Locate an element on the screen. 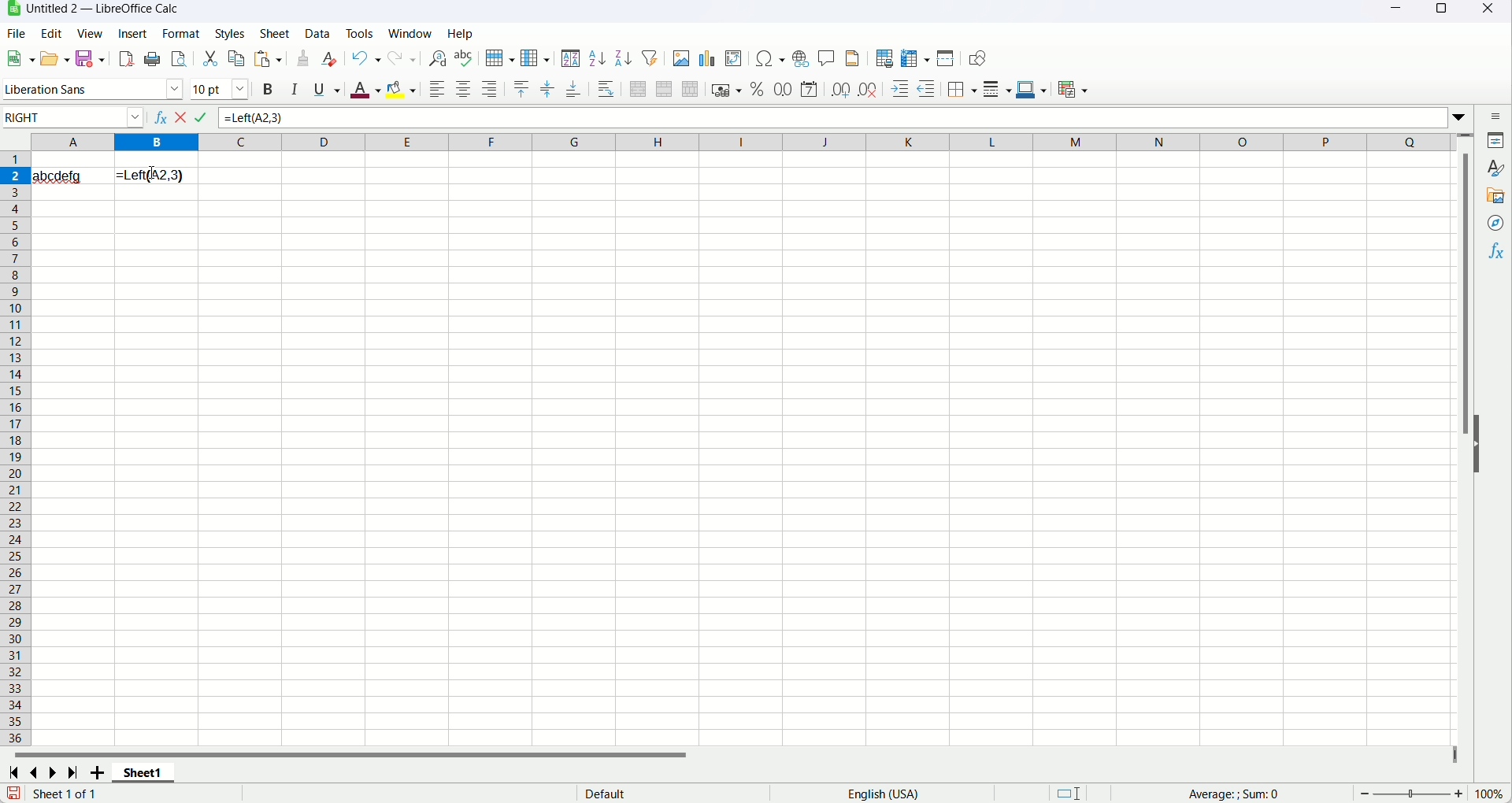 The height and width of the screenshot is (803, 1512). border is located at coordinates (963, 89).